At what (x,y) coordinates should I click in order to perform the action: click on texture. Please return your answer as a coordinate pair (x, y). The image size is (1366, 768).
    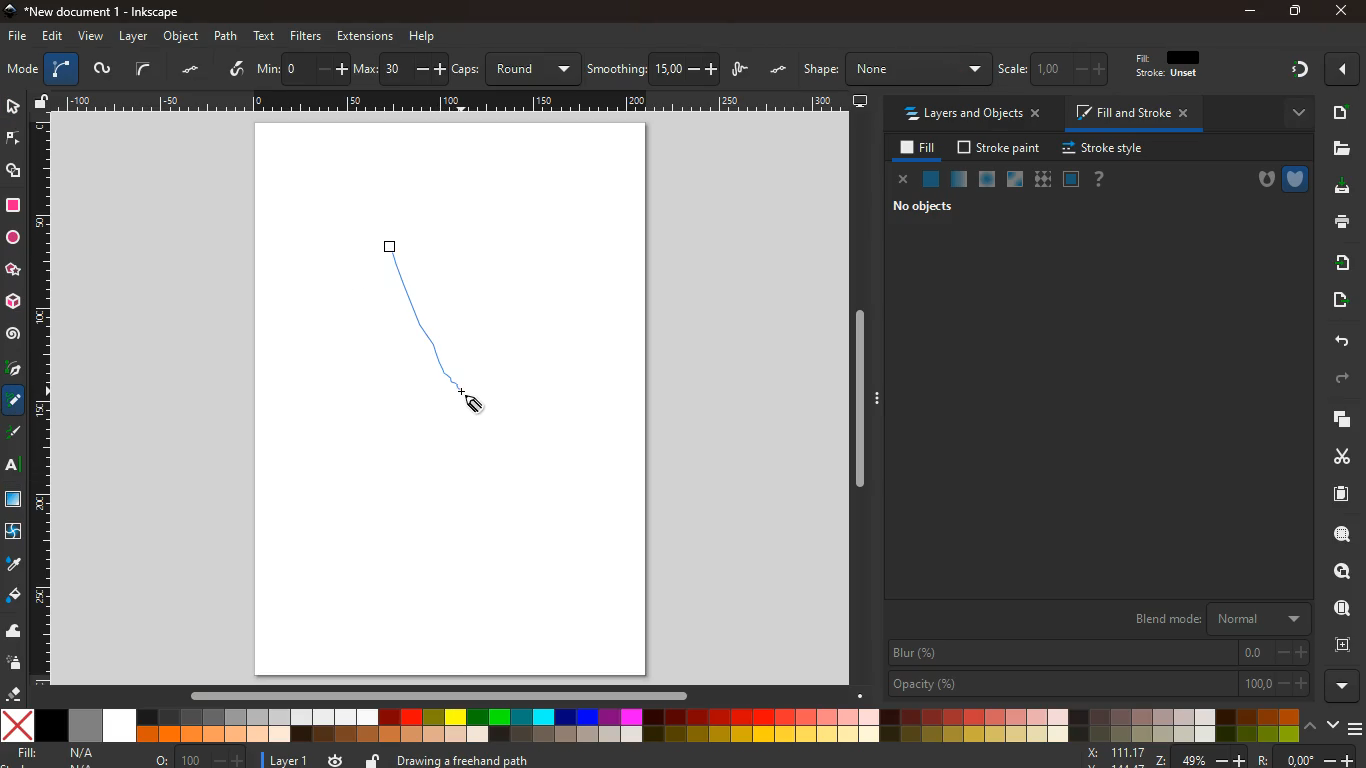
    Looking at the image, I should click on (1043, 180).